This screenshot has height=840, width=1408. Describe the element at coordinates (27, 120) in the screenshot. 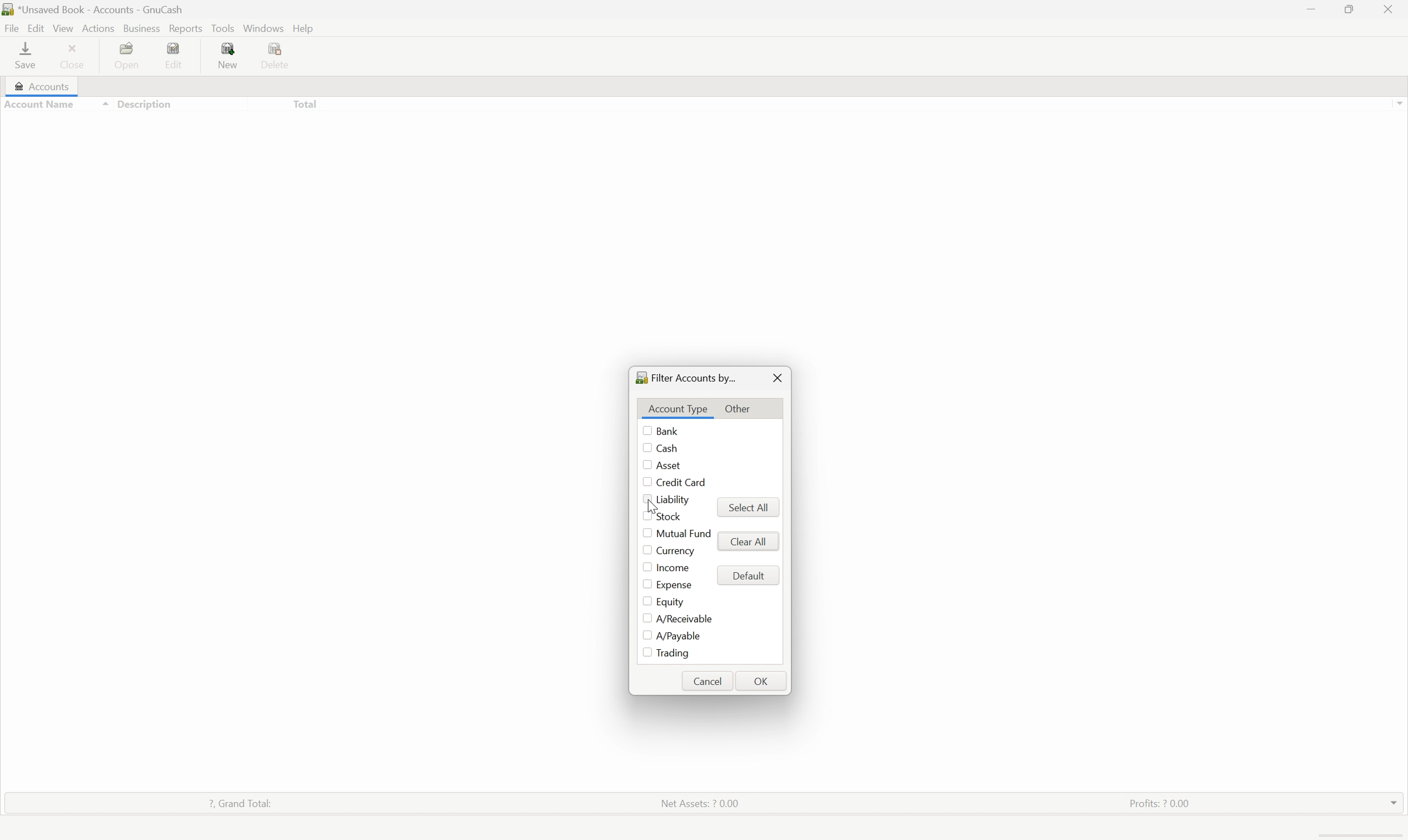

I see `Assets` at that location.